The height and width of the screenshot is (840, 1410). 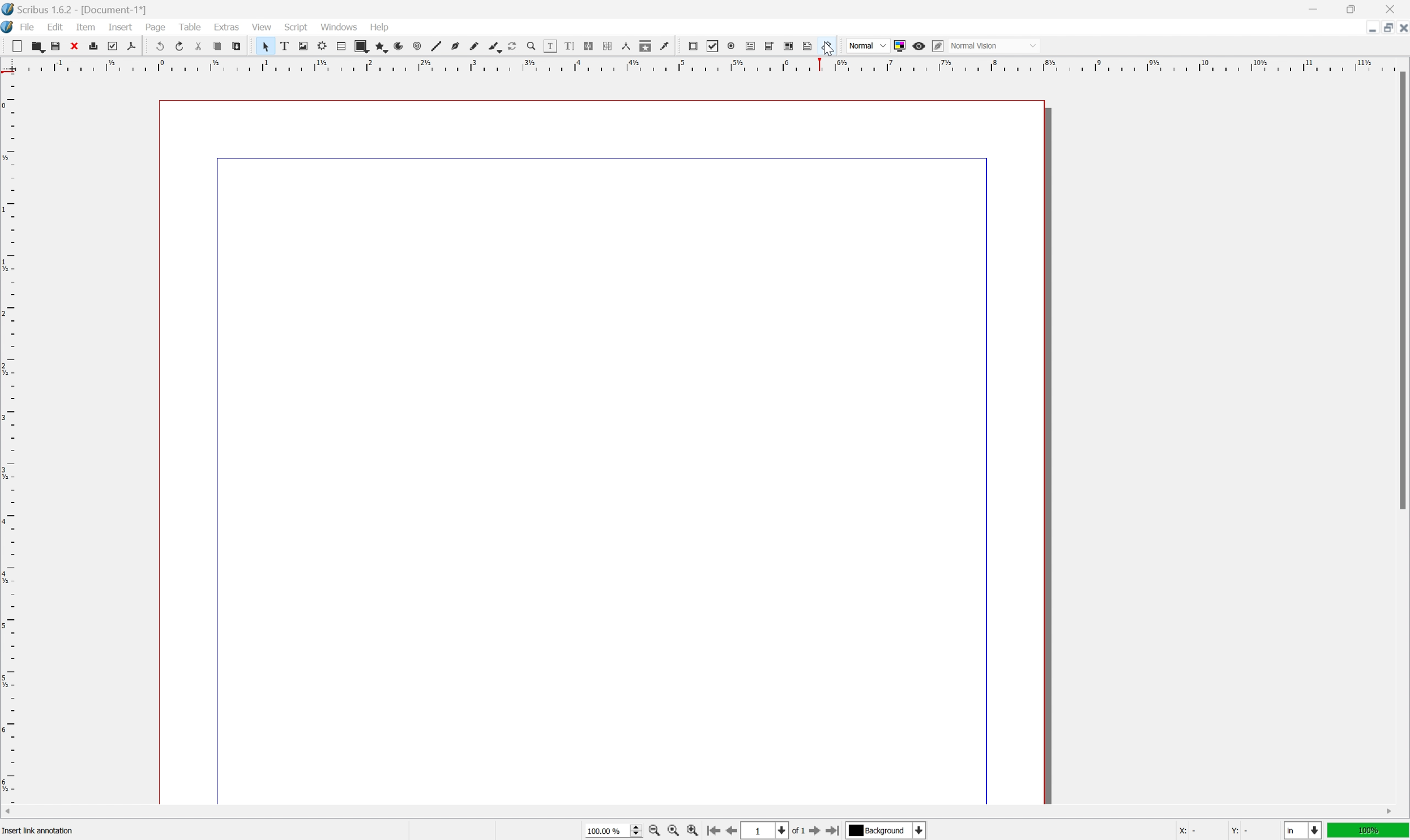 I want to click on print, so click(x=93, y=45).